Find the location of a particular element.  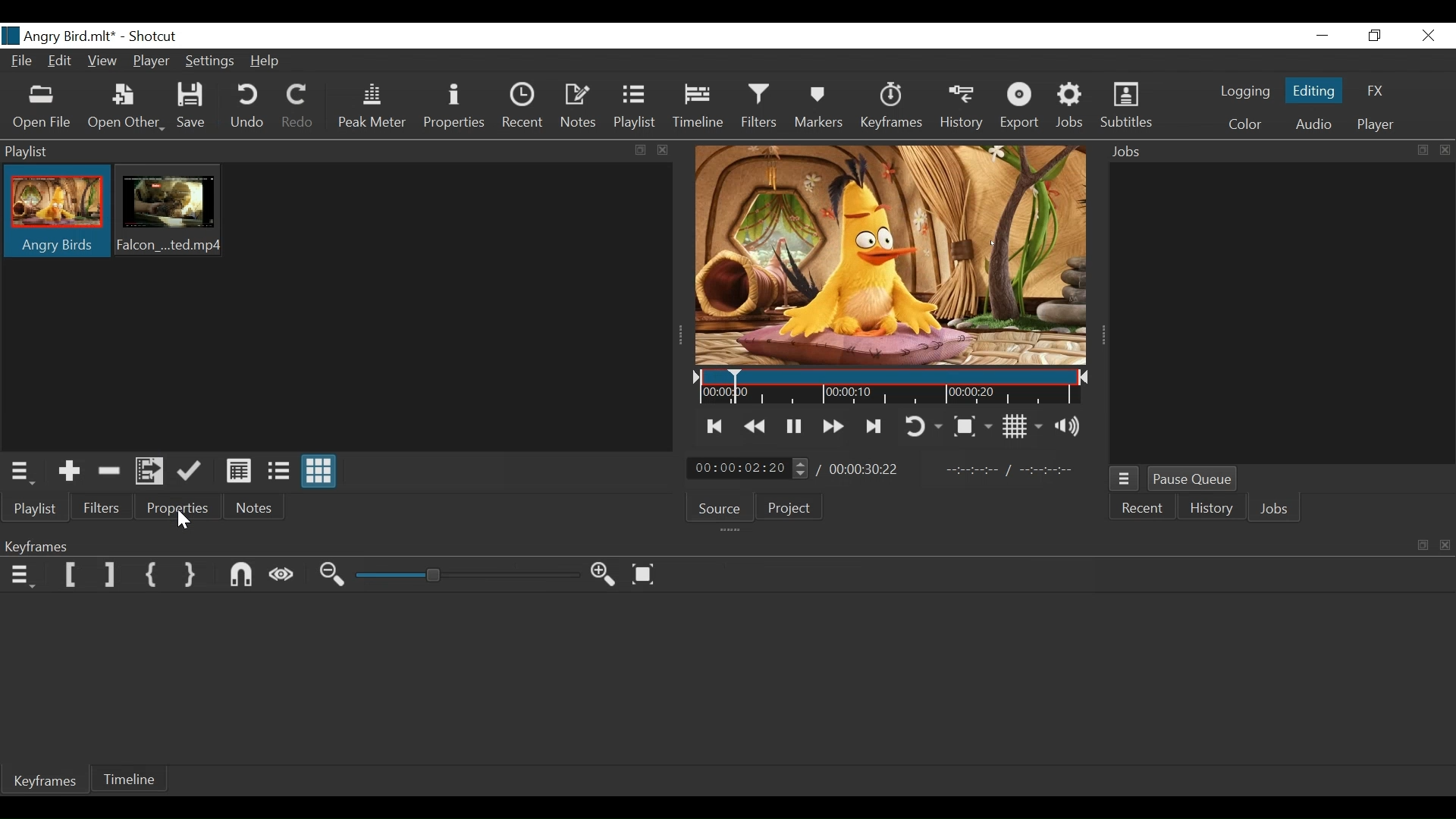

Restore is located at coordinates (1375, 36).